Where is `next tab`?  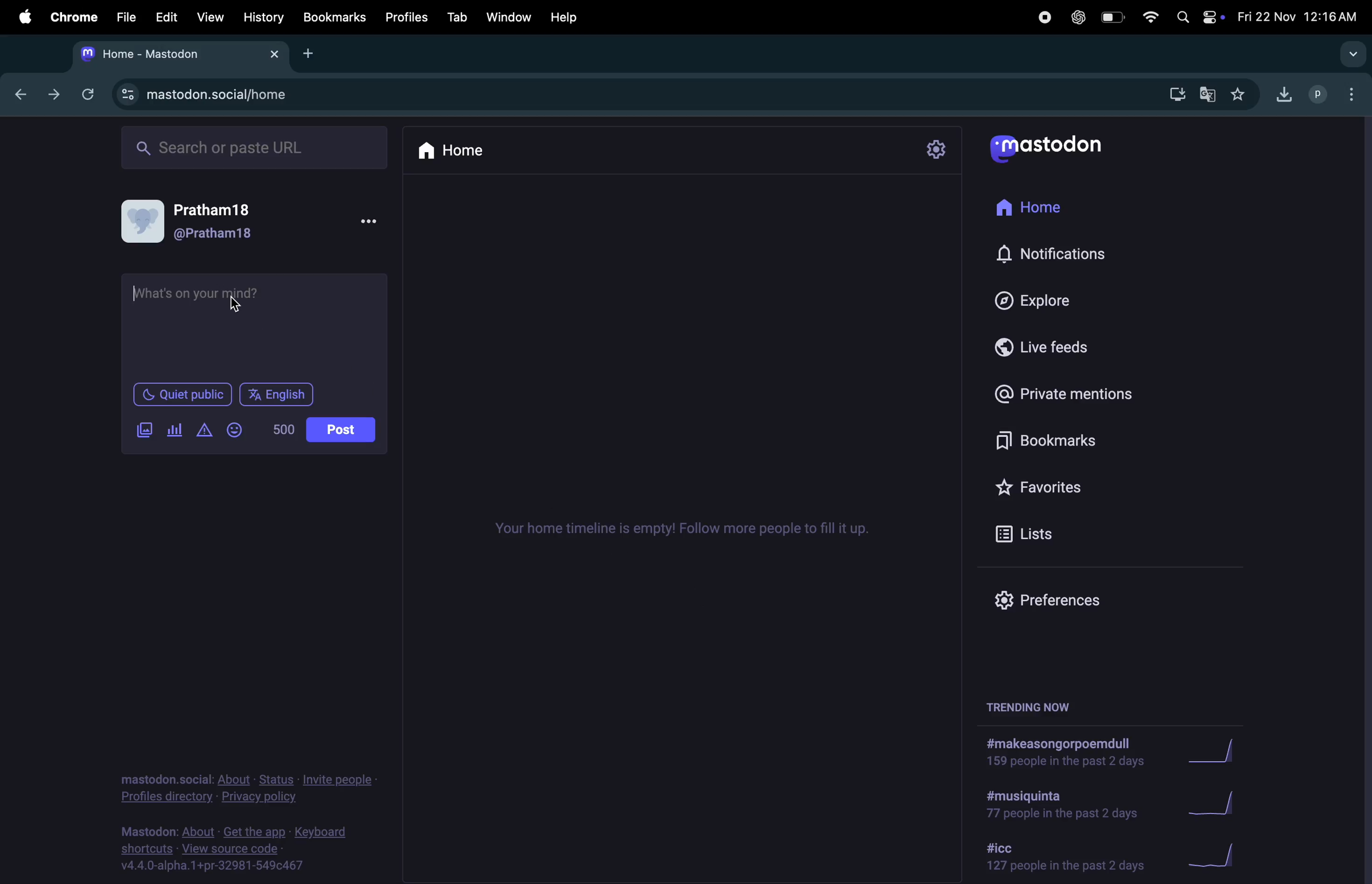 next tab is located at coordinates (50, 95).